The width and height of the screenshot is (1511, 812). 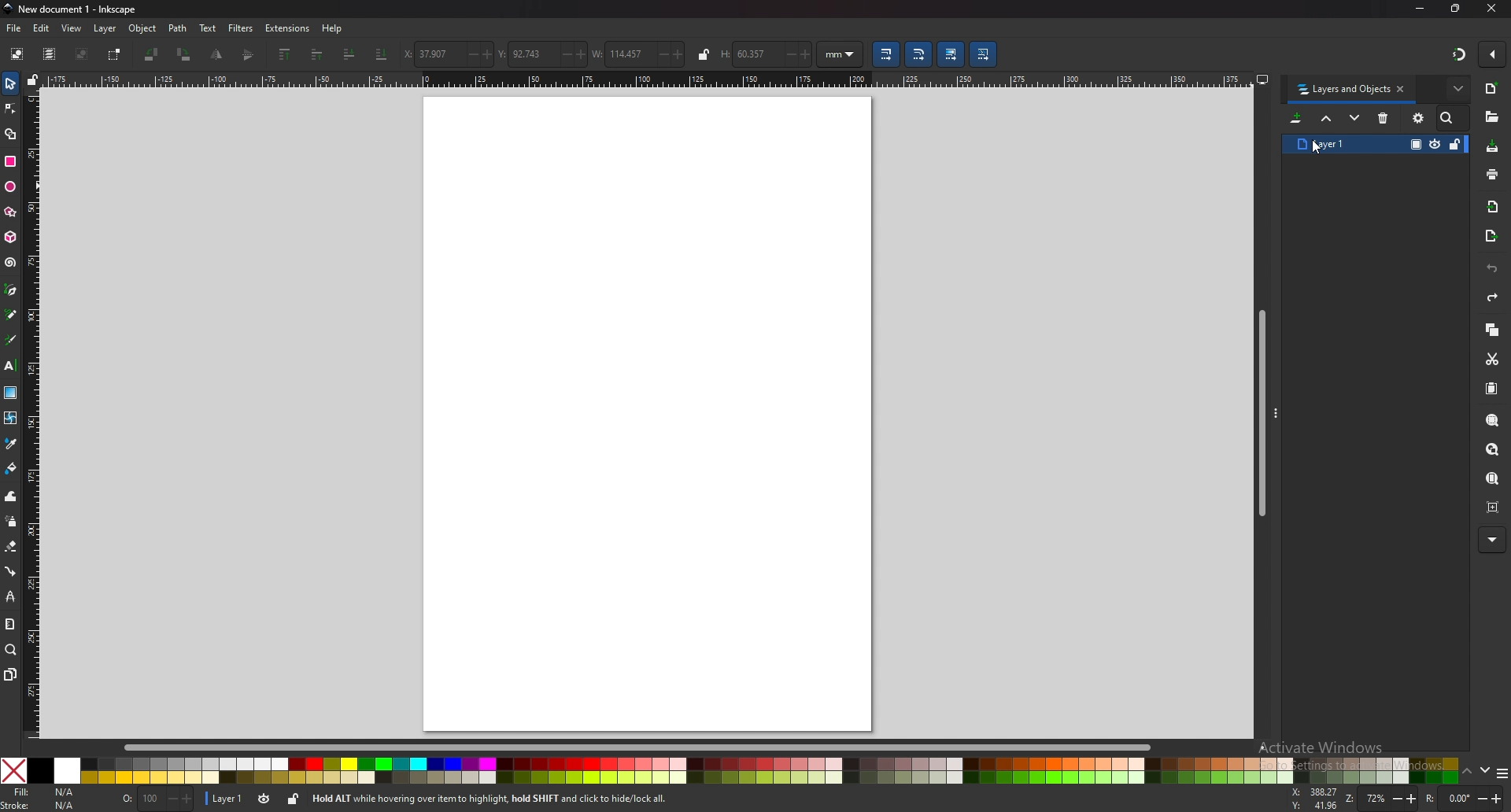 What do you see at coordinates (679, 55) in the screenshot?
I see `increase` at bounding box center [679, 55].